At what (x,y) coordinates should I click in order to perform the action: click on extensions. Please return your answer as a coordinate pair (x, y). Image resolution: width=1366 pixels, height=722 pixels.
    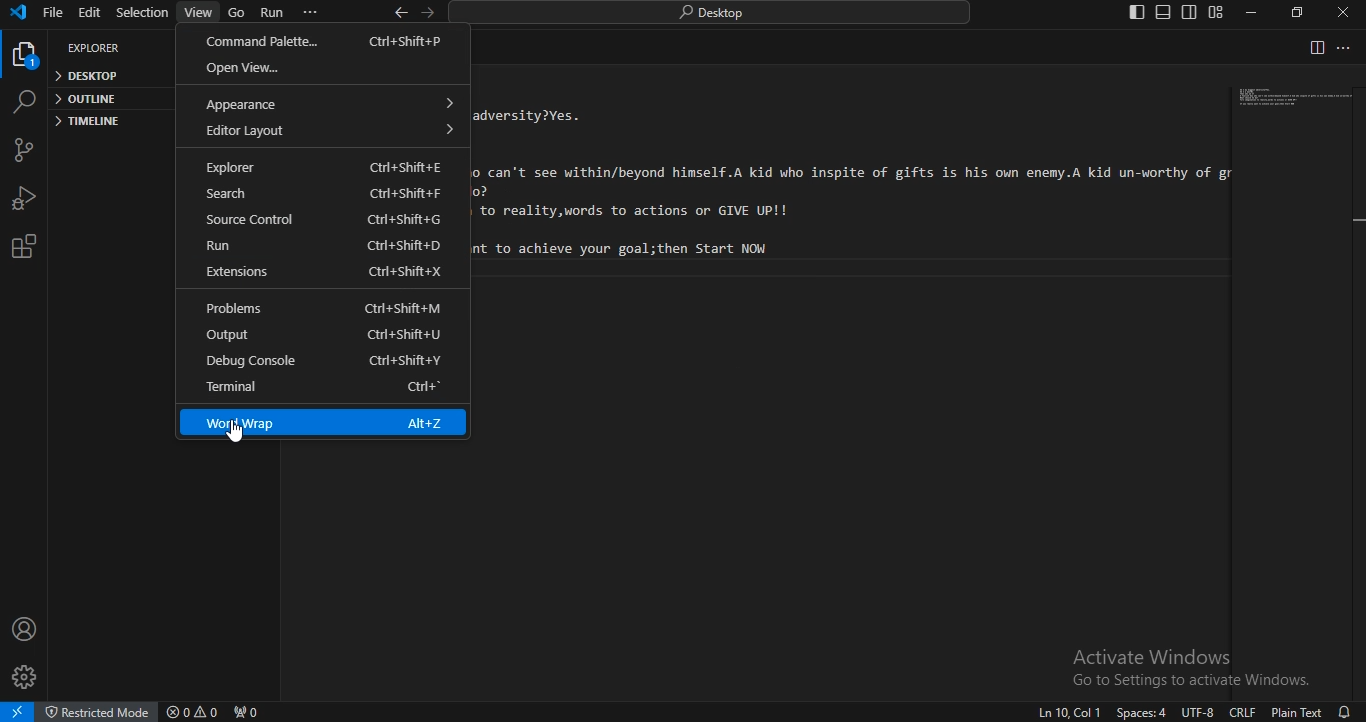
    Looking at the image, I should click on (20, 249).